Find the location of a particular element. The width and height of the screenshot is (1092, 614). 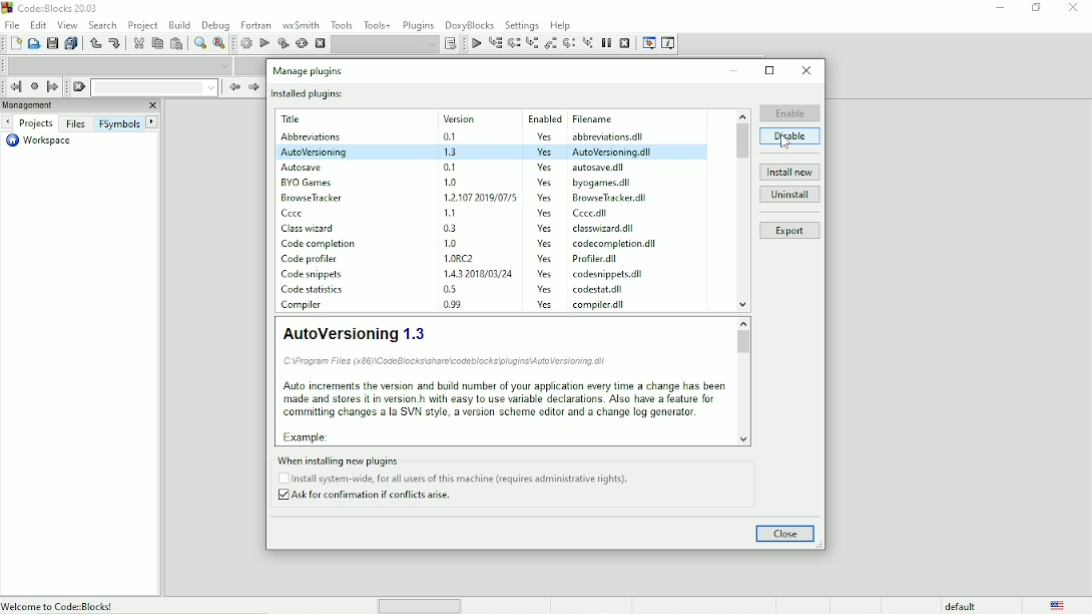

FSymbols is located at coordinates (119, 123).